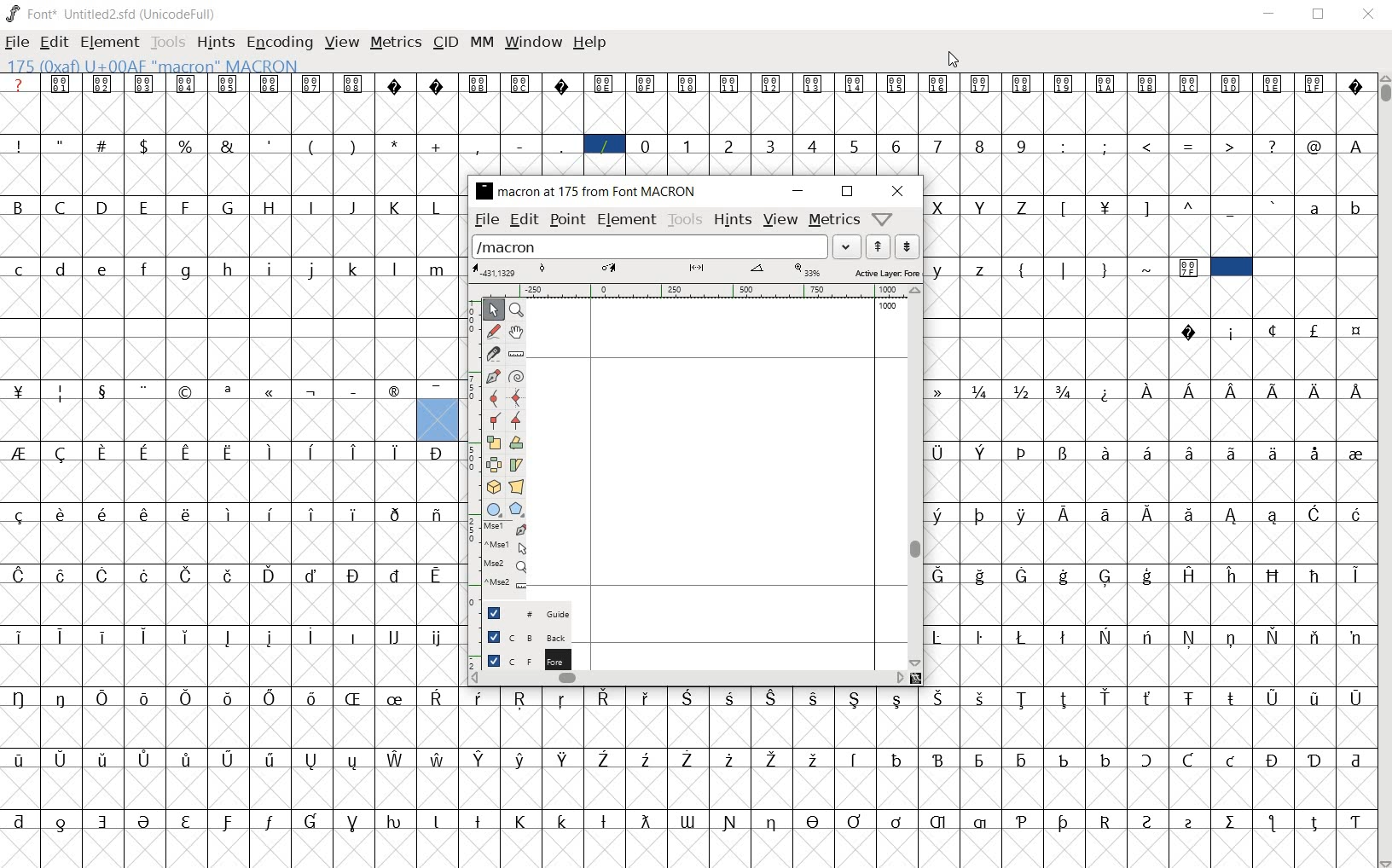  Describe the element at coordinates (148, 698) in the screenshot. I see `Symbol` at that location.